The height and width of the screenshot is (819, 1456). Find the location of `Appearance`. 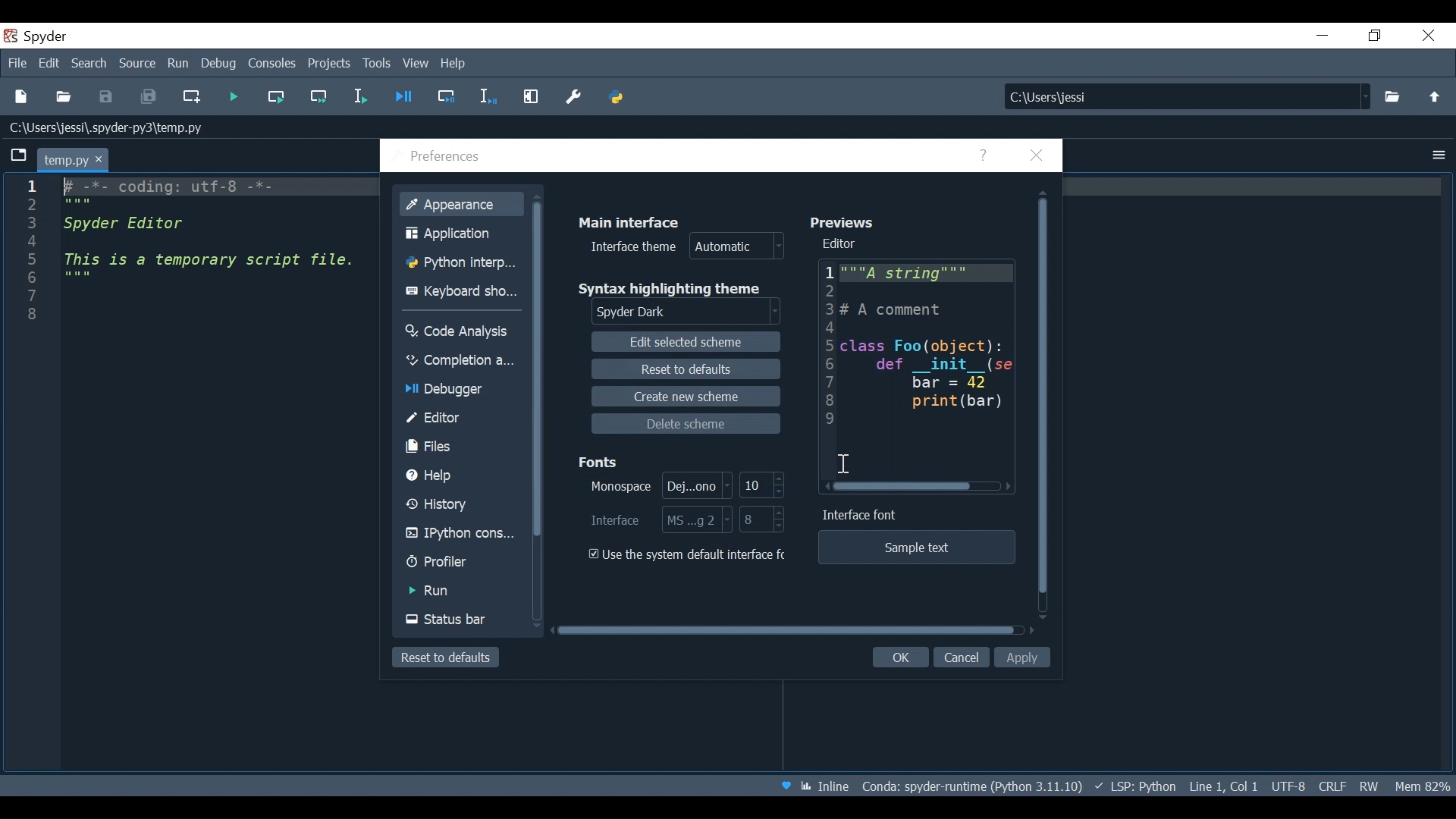

Appearance is located at coordinates (465, 203).